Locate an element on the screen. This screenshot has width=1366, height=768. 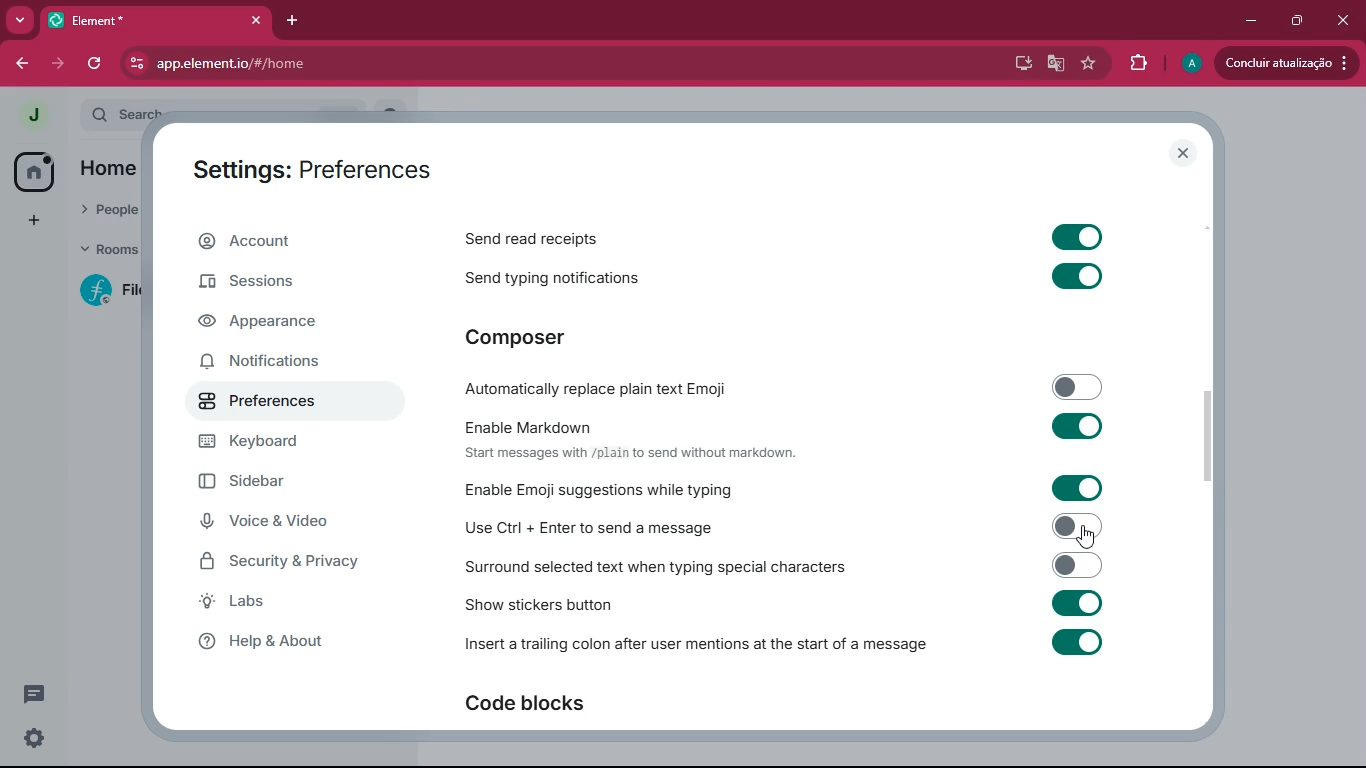
toggle on or off is located at coordinates (1076, 602).